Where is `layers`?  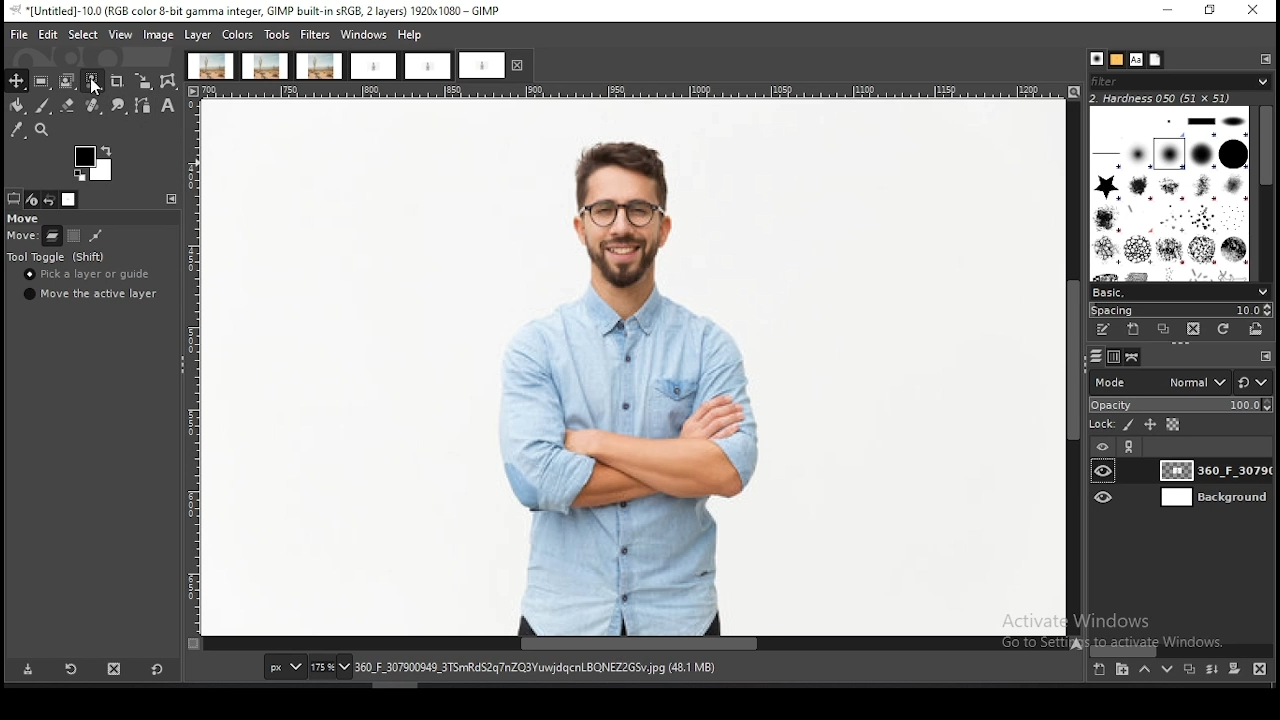
layers is located at coordinates (1096, 357).